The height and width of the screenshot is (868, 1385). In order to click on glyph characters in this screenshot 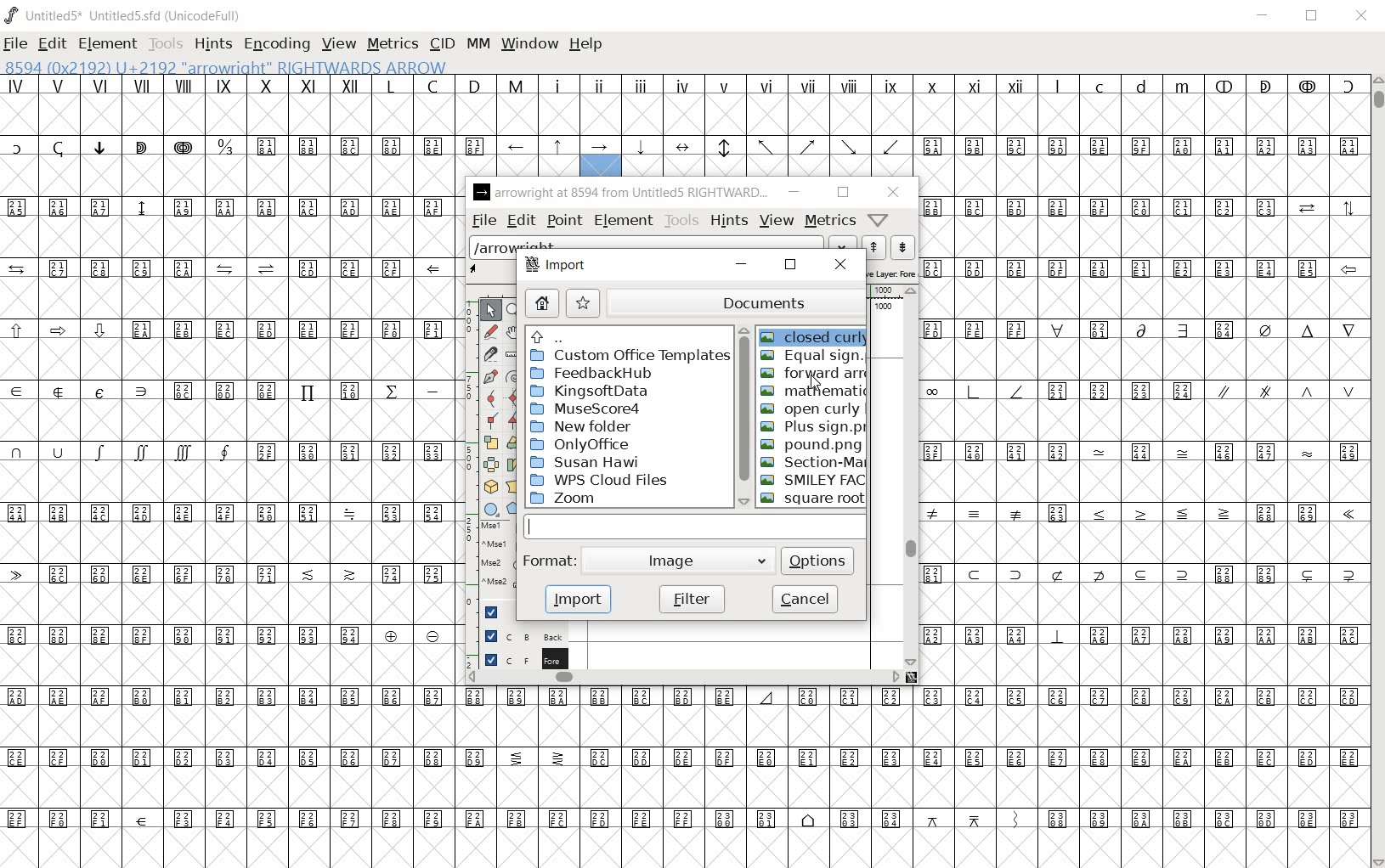, I will do `click(1144, 470)`.